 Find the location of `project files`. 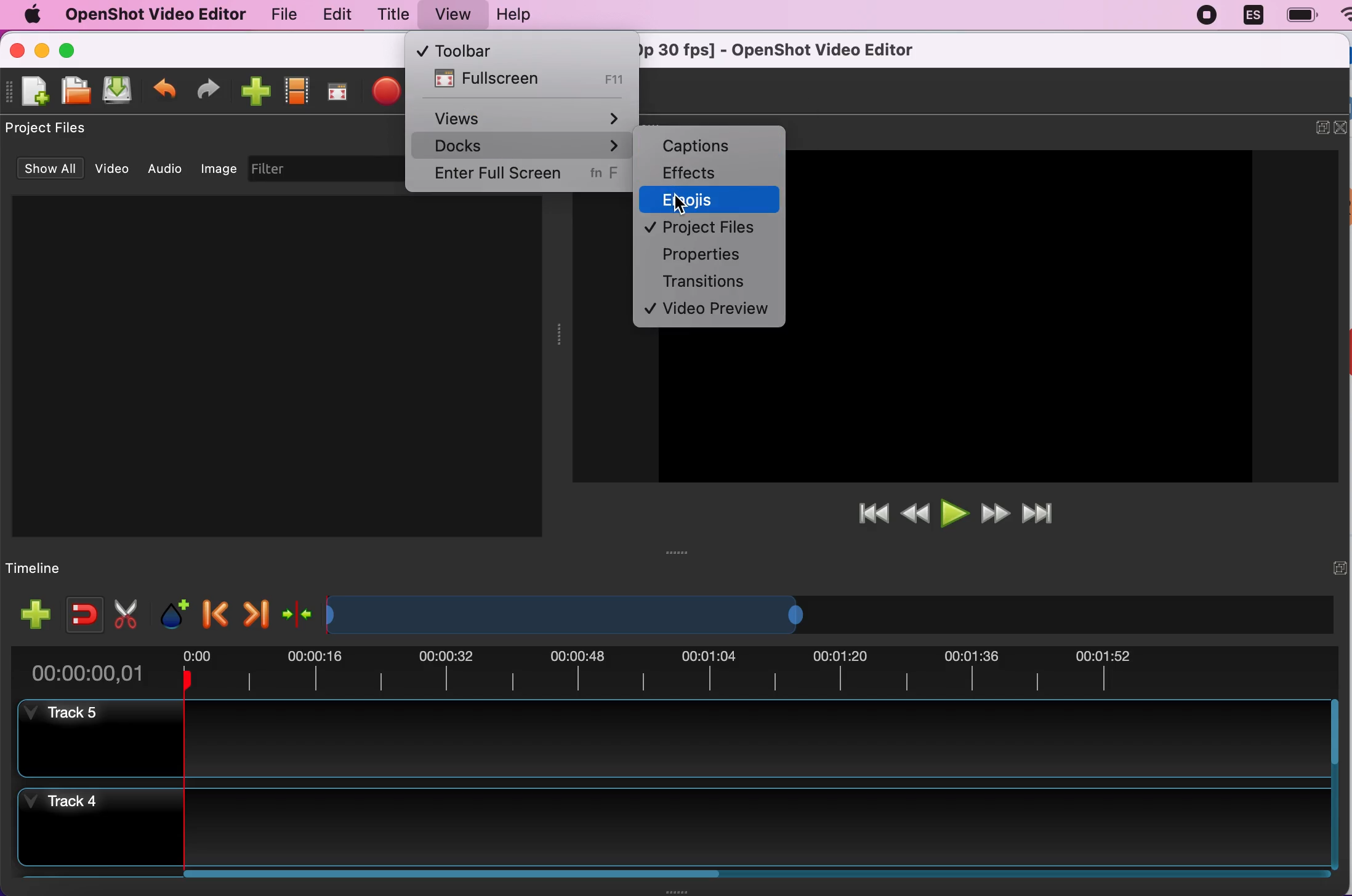

project files is located at coordinates (47, 129).